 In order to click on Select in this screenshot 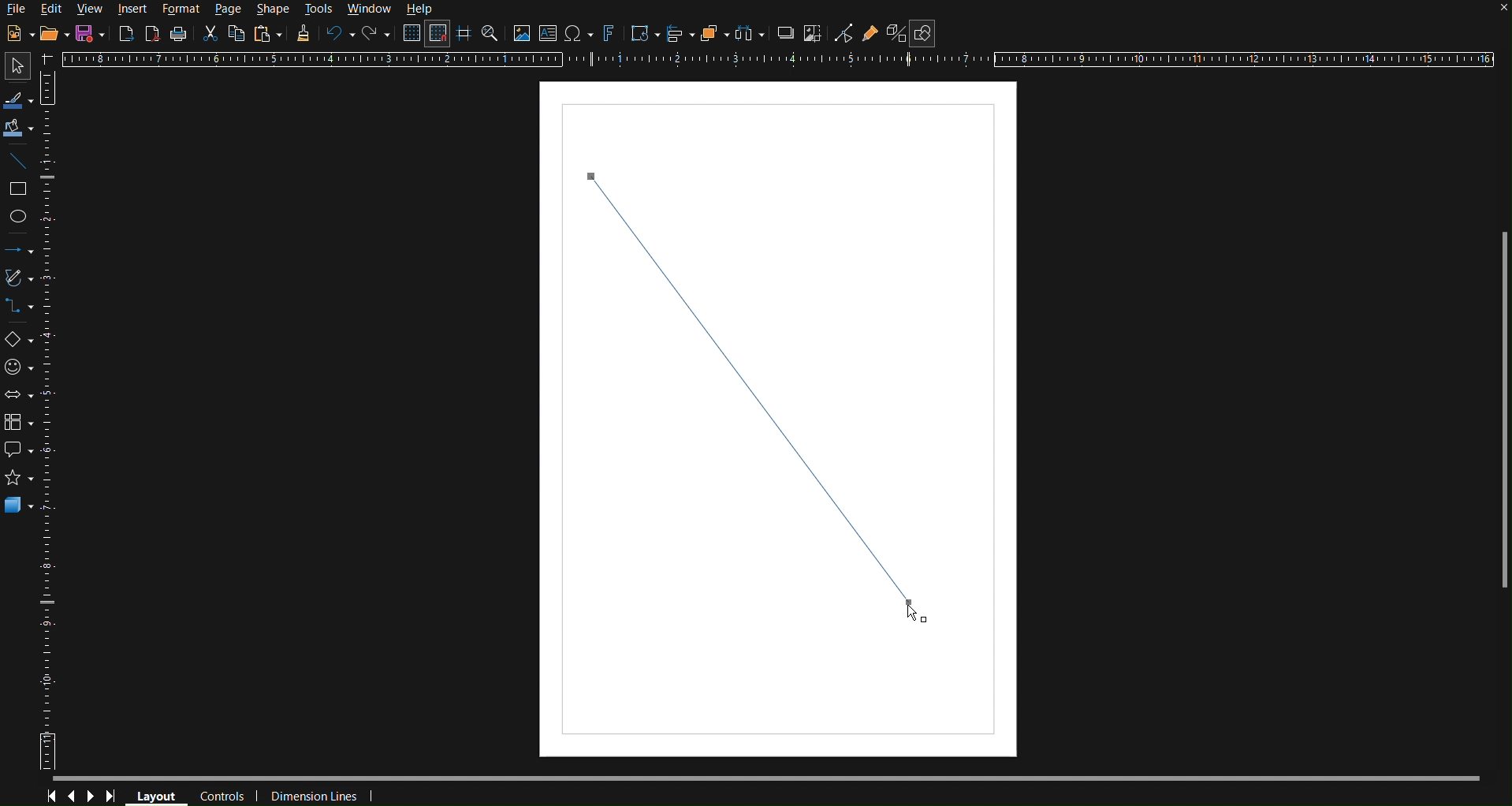, I will do `click(19, 67)`.